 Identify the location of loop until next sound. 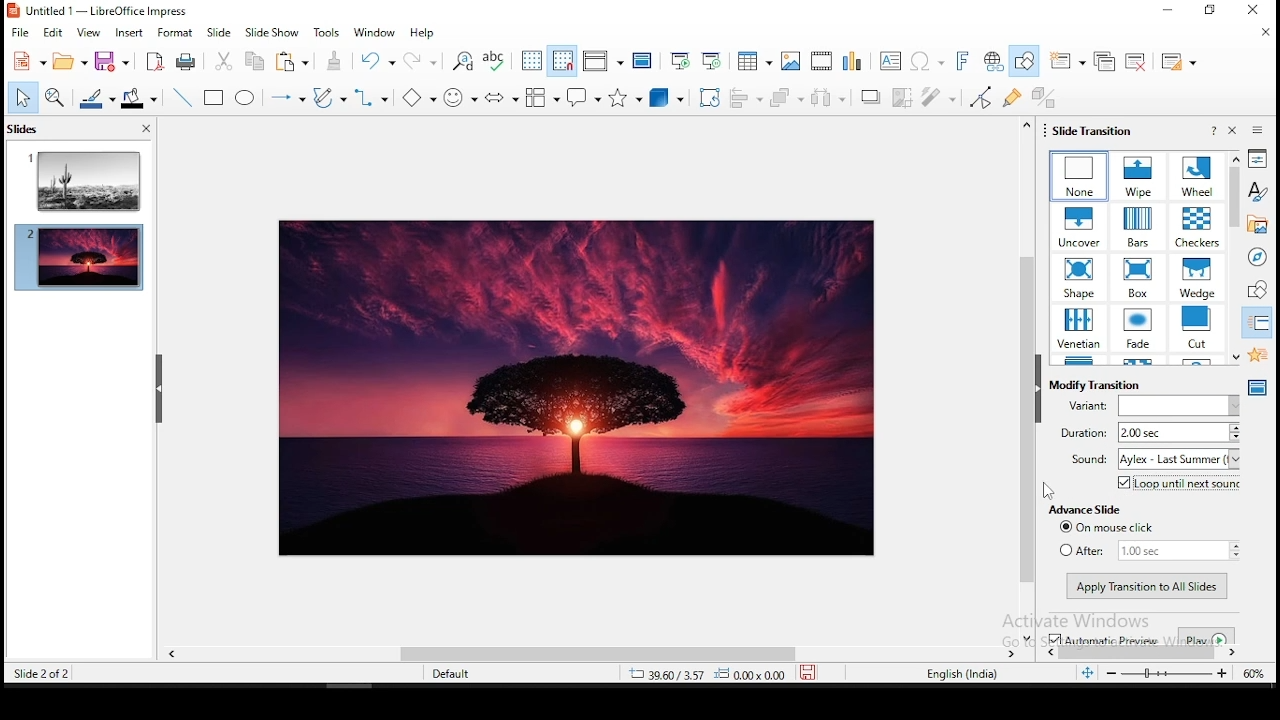
(1176, 485).